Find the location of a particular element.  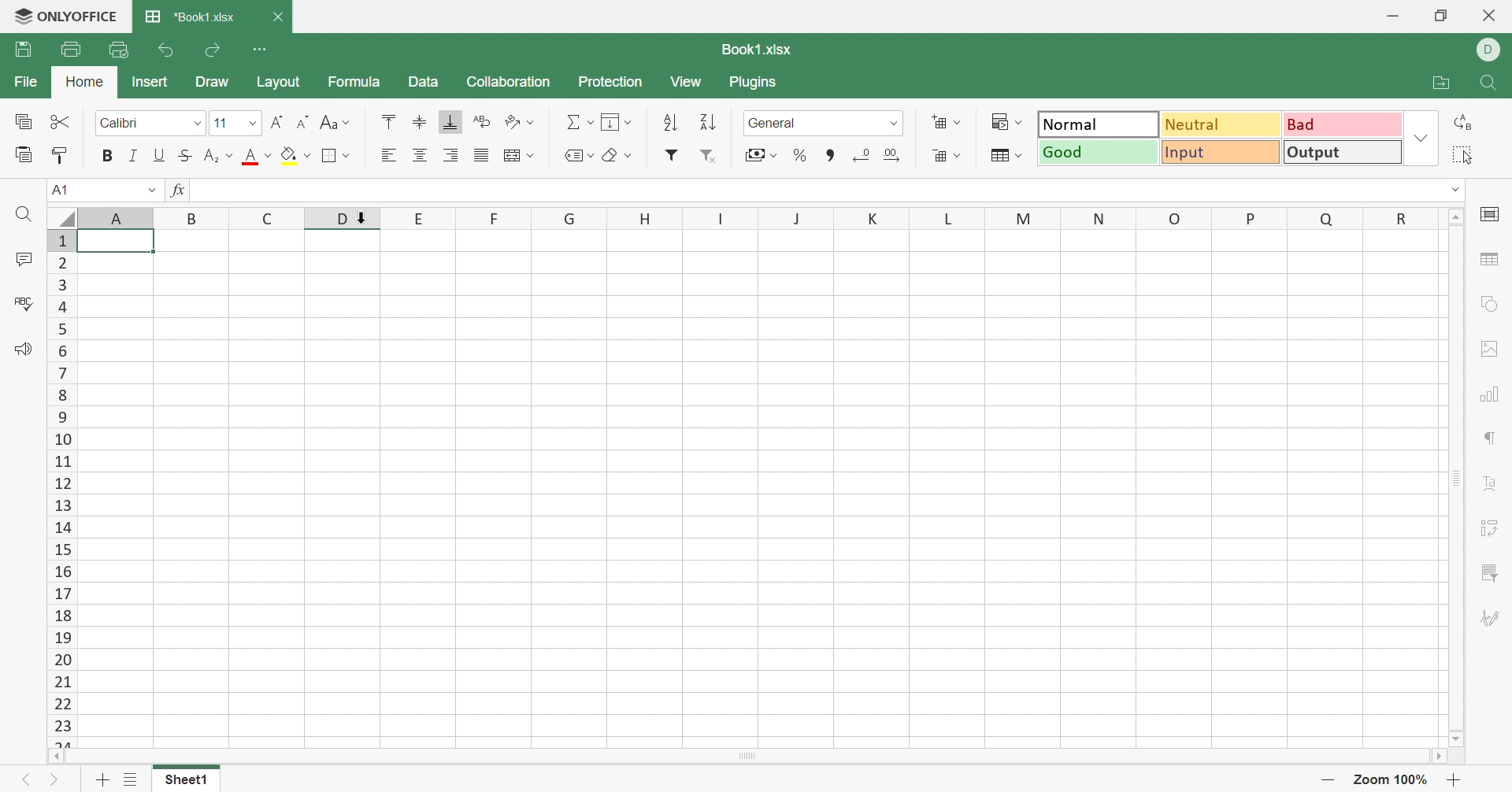

close is located at coordinates (279, 19).